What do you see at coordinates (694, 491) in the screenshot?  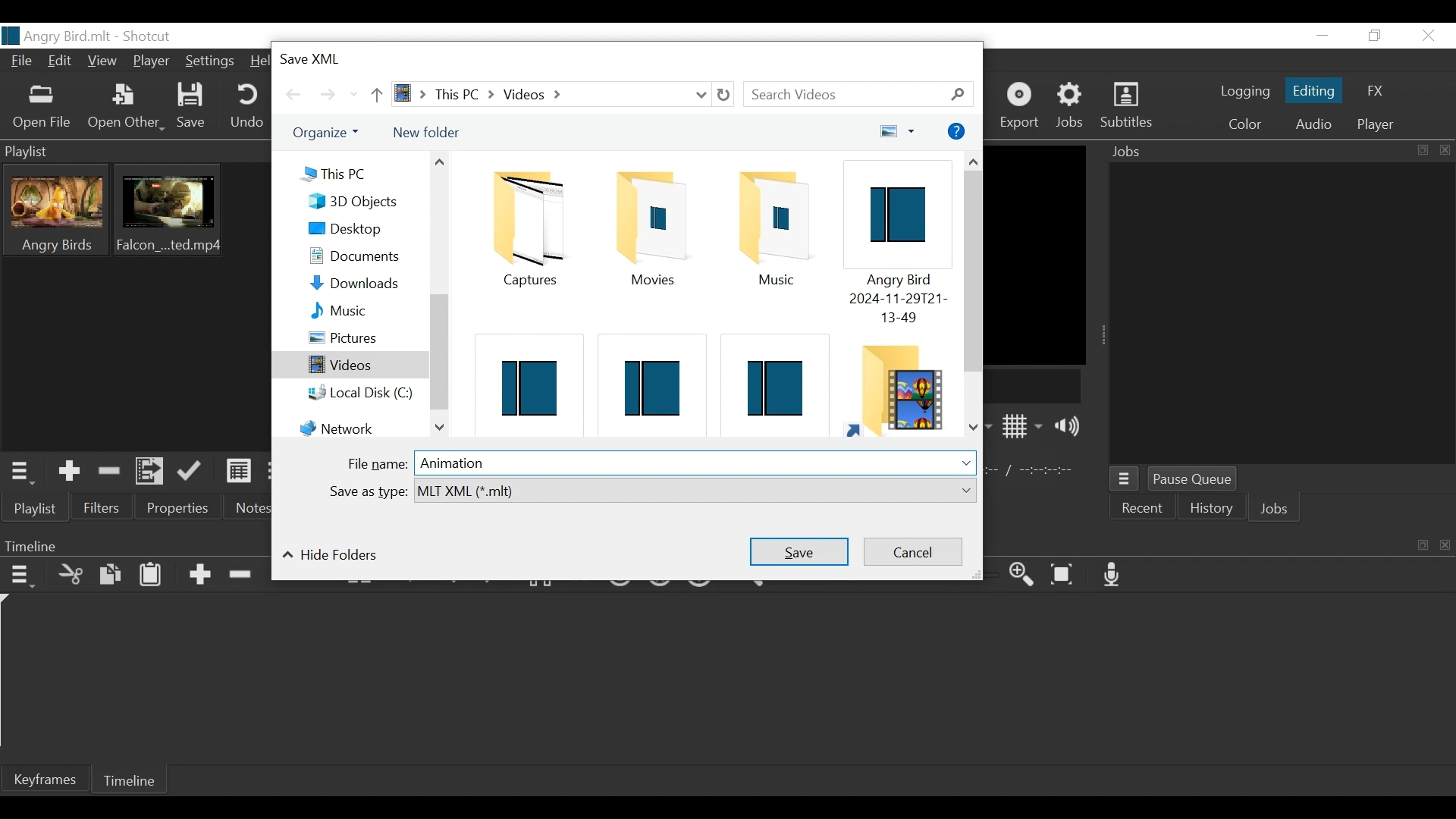 I see `Select from dropdown` at bounding box center [694, 491].